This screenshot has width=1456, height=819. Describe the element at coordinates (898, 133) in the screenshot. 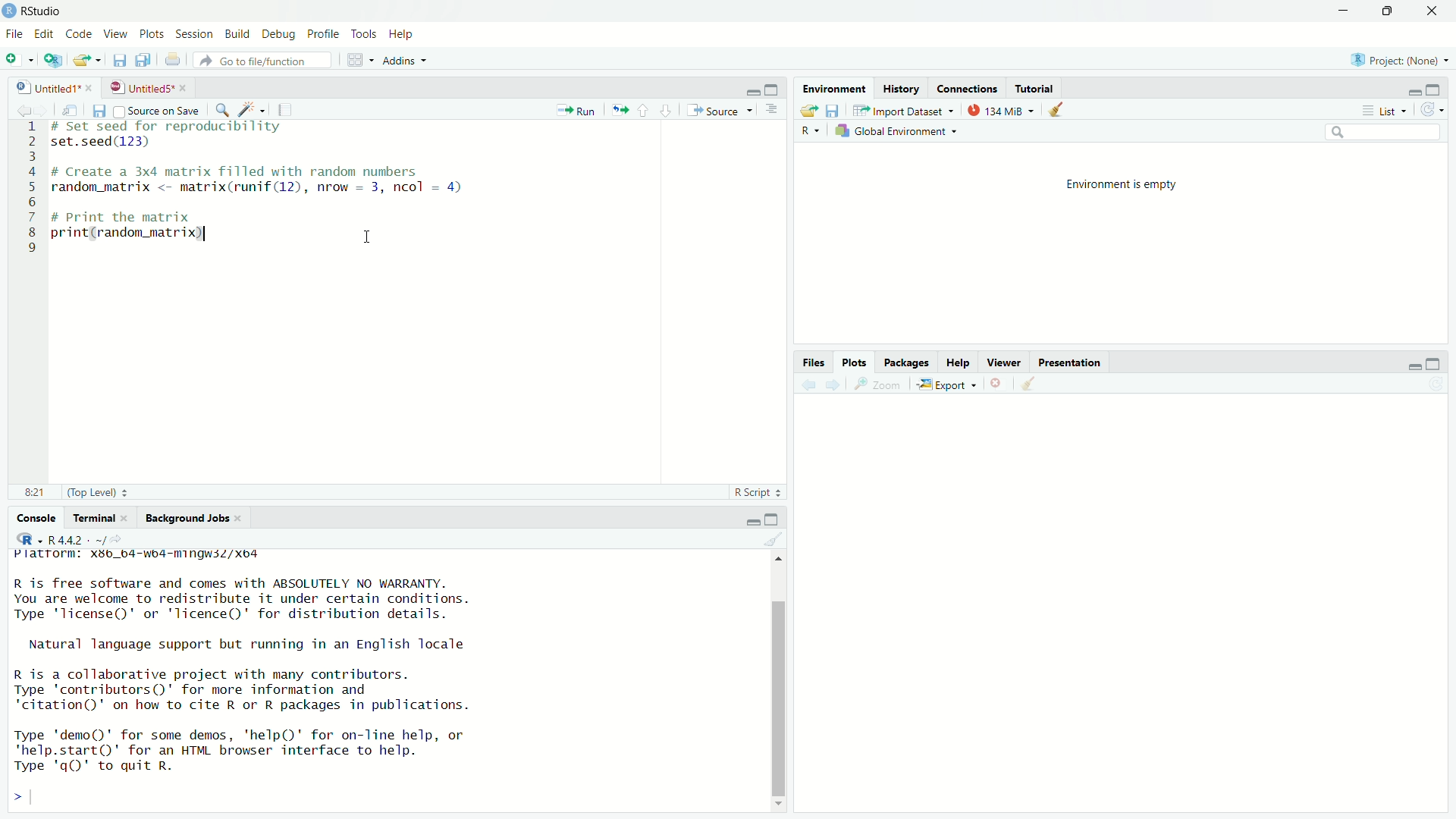

I see `kh Global Environment +` at that location.